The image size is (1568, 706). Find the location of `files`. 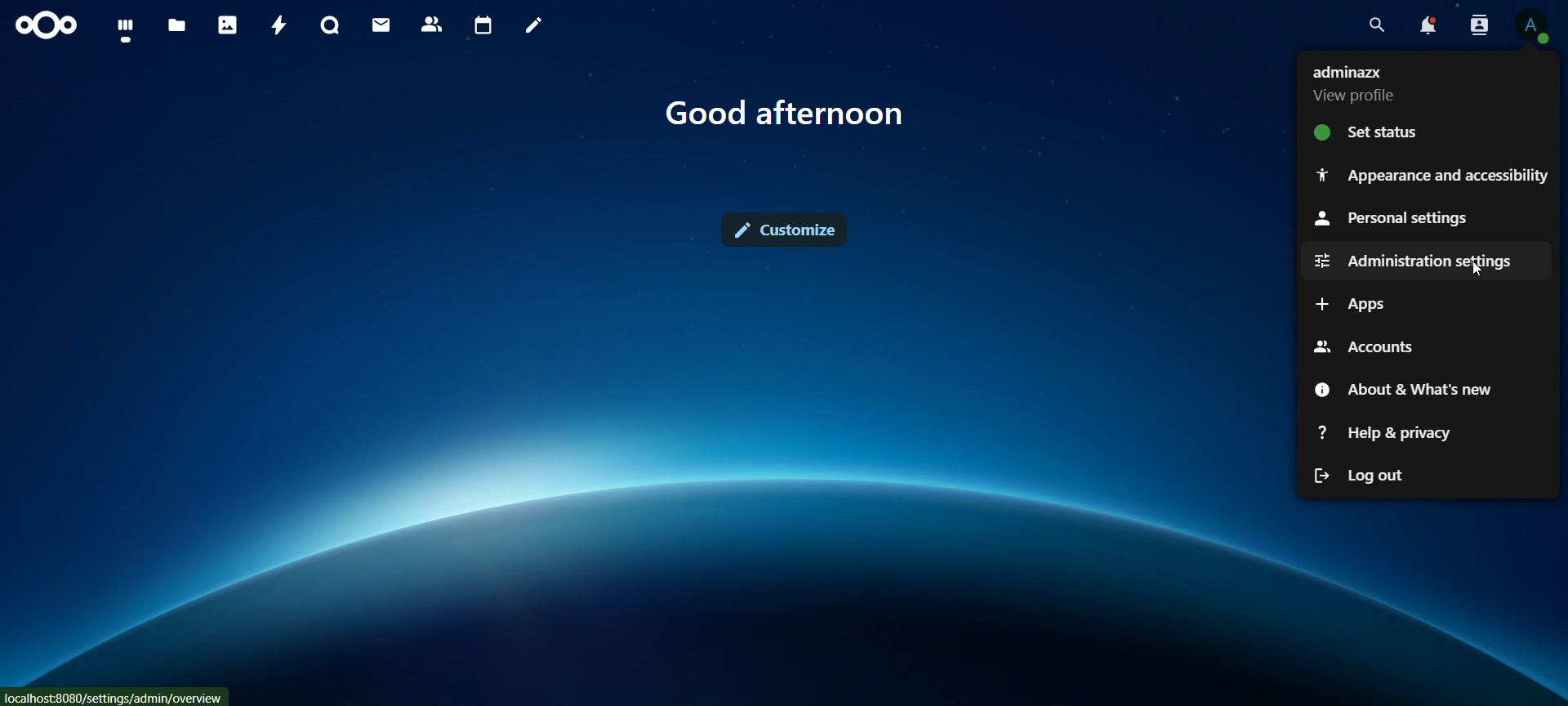

files is located at coordinates (175, 25).